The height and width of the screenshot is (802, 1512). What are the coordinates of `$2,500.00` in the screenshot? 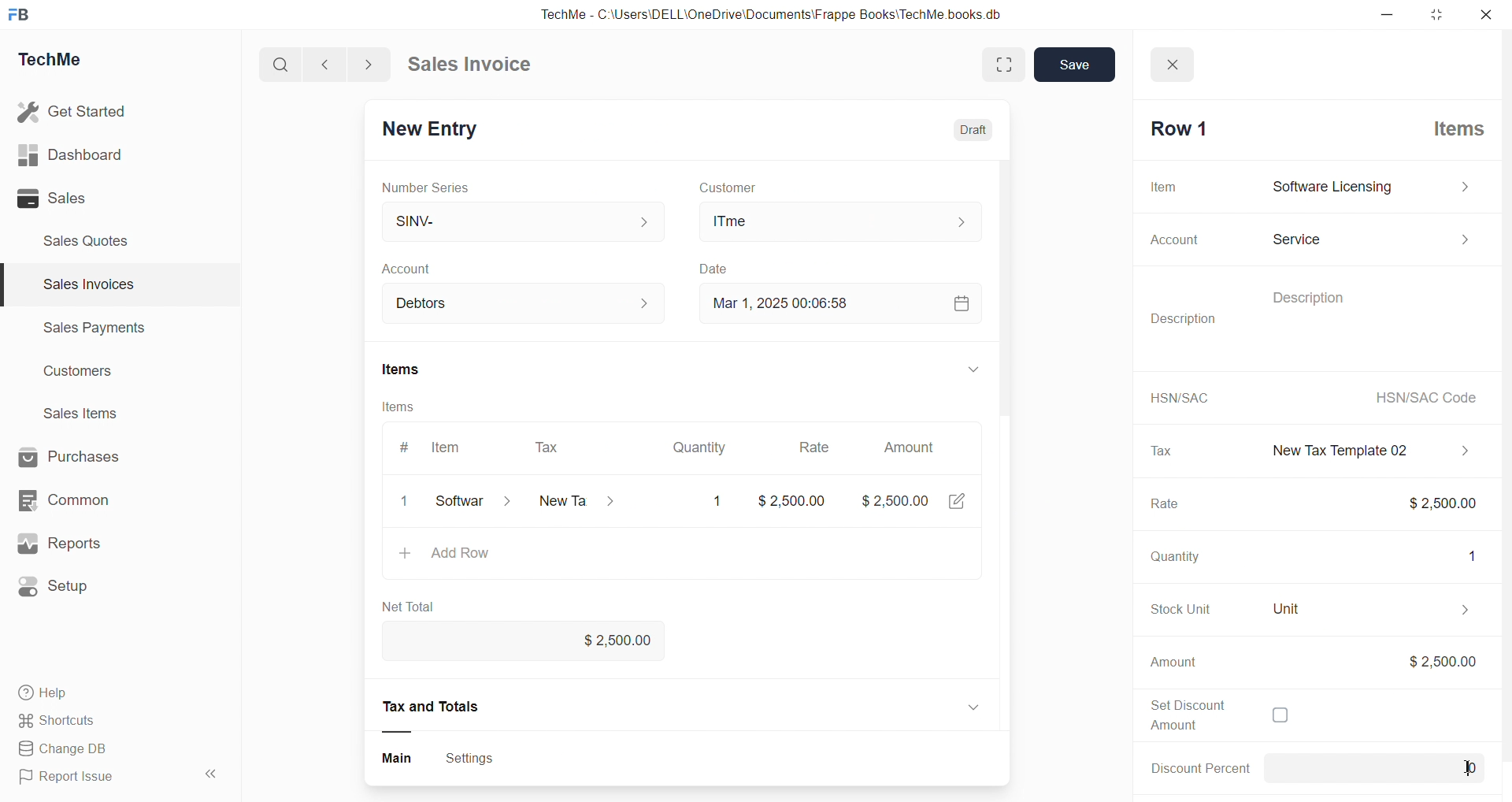 It's located at (795, 500).